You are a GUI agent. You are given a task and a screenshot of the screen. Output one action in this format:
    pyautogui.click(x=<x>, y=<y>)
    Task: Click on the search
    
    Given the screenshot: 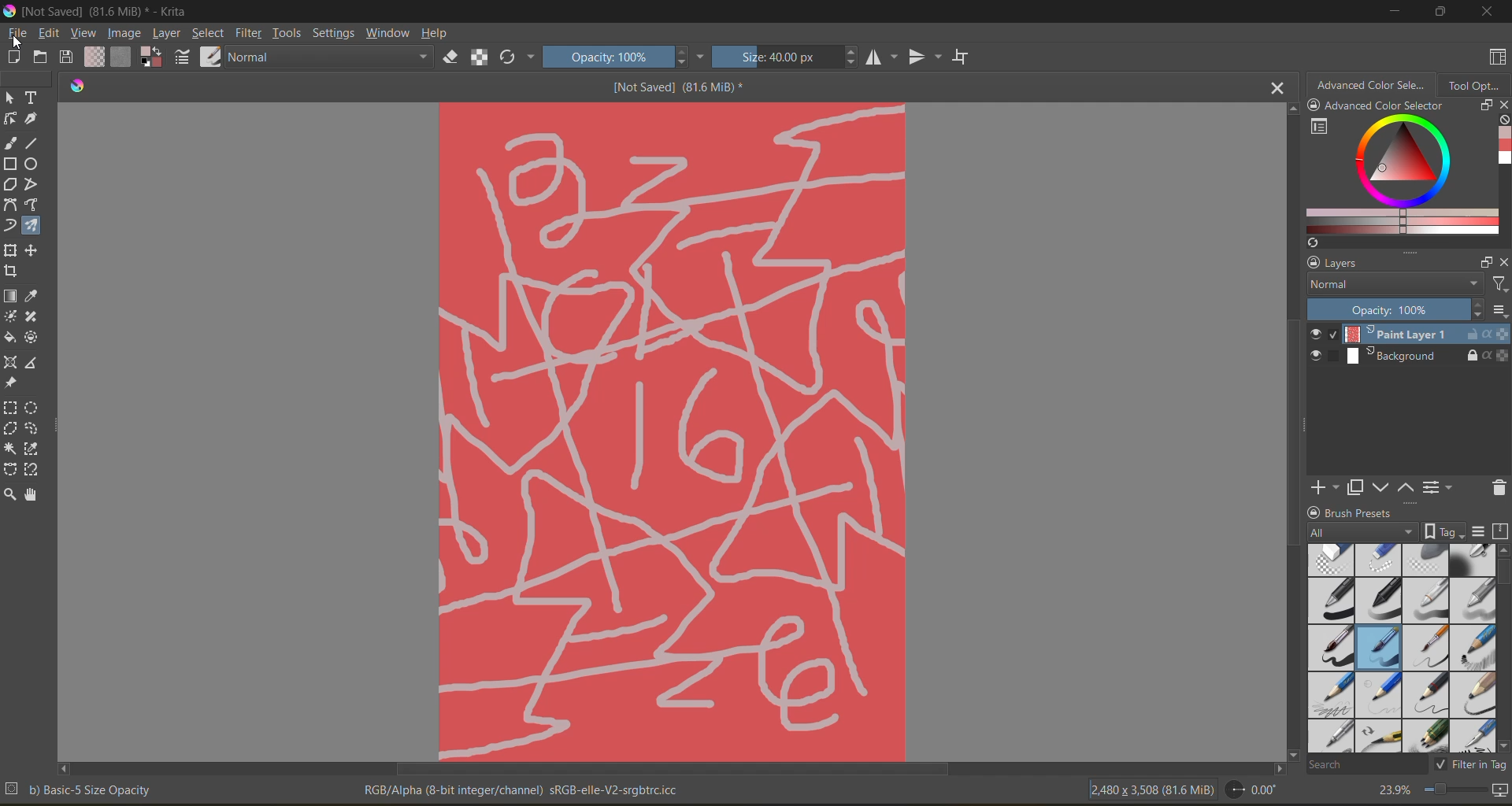 What is the action you would take?
    pyautogui.click(x=1366, y=763)
    